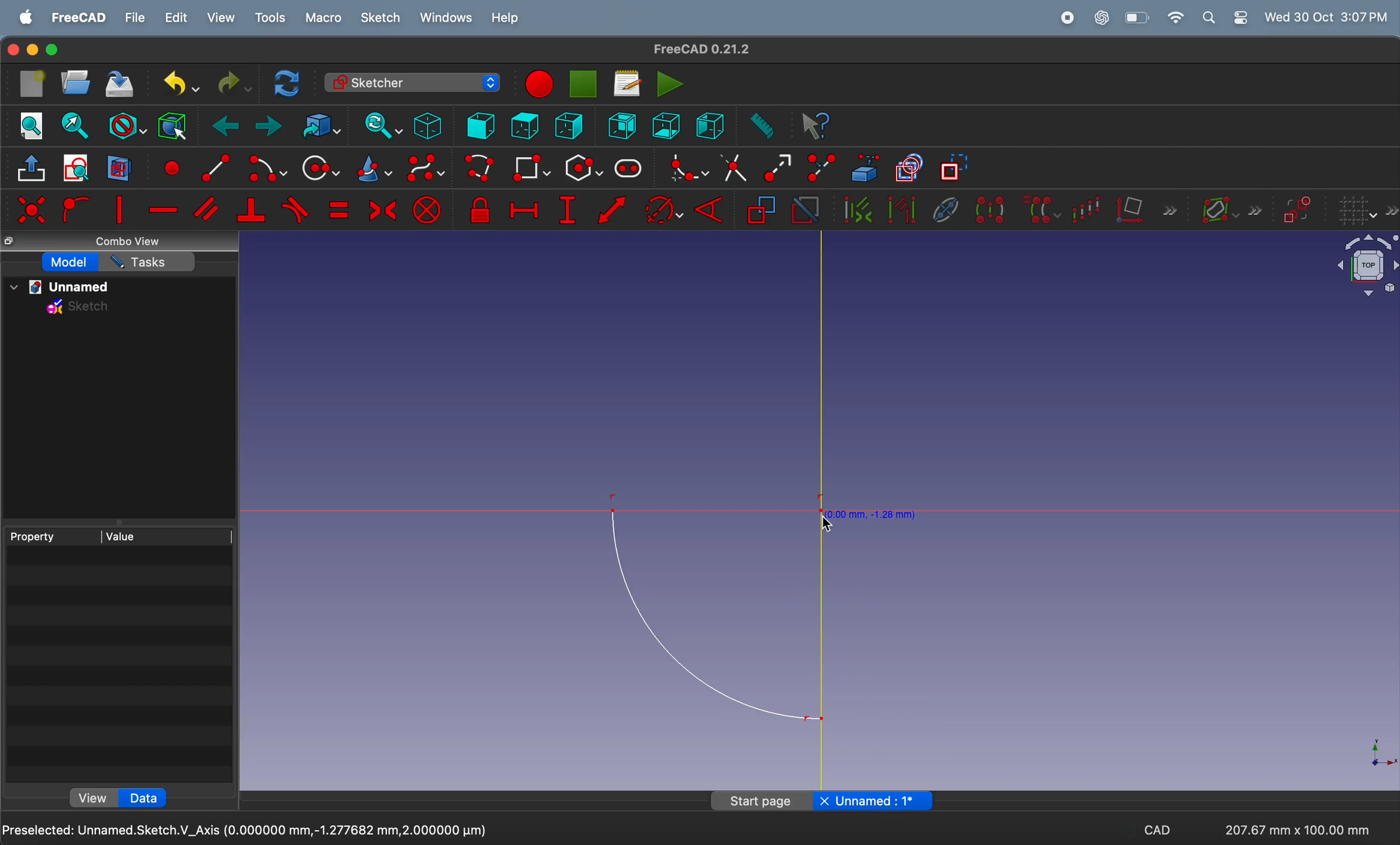  I want to click on copy, so click(11, 242).